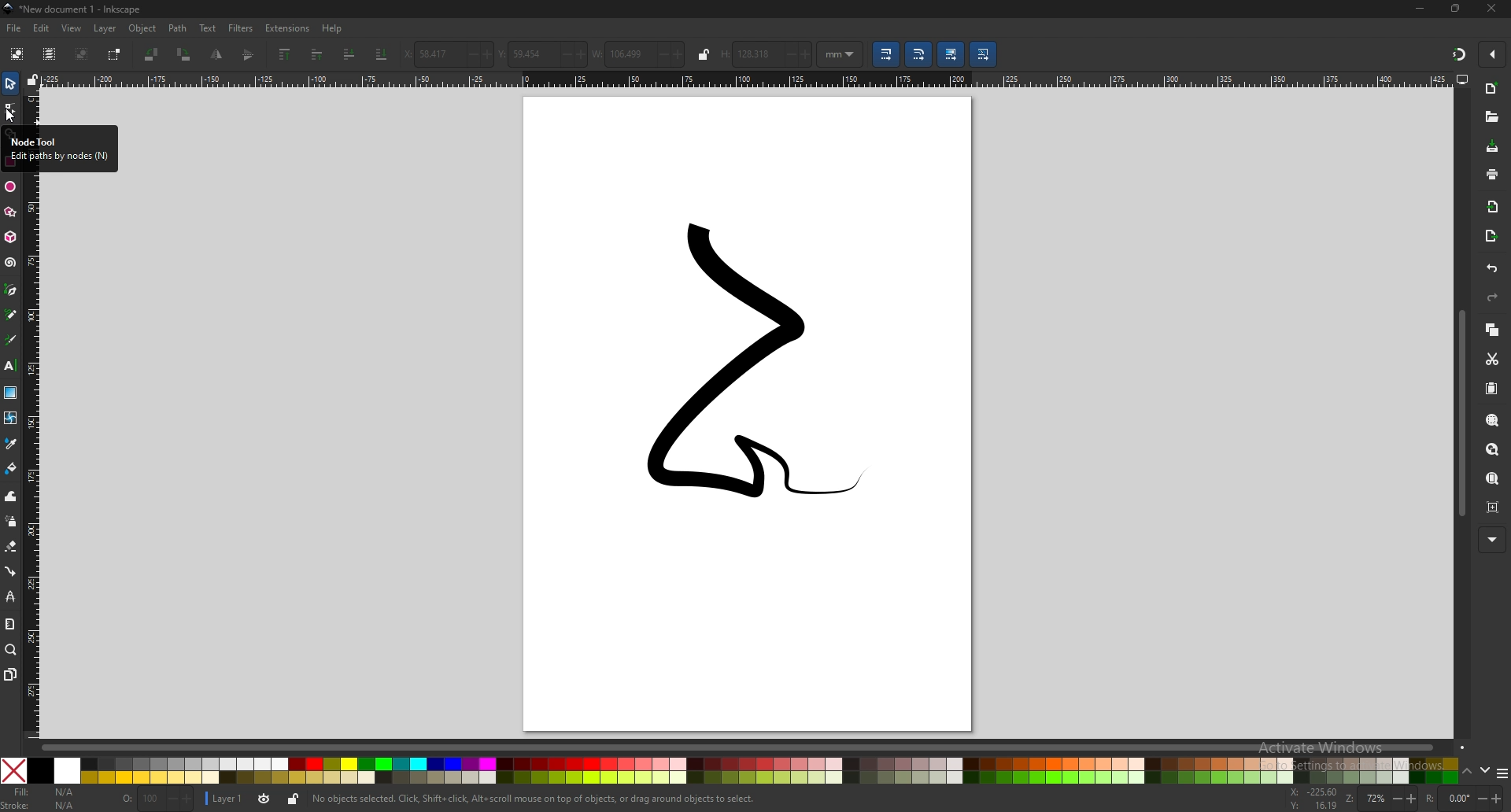 This screenshot has width=1511, height=812. What do you see at coordinates (1493, 269) in the screenshot?
I see `undo` at bounding box center [1493, 269].